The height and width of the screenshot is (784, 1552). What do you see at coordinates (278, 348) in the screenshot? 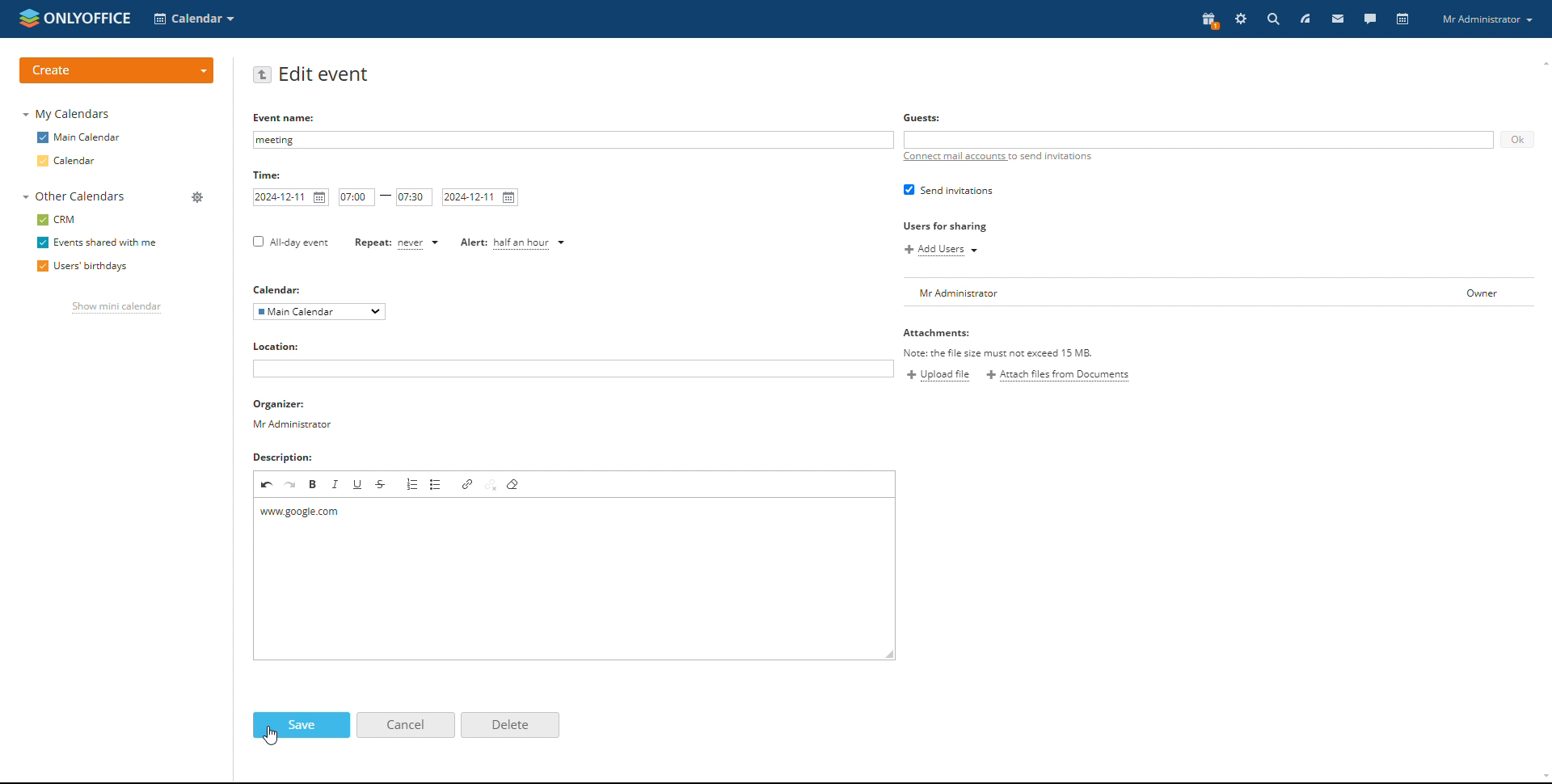
I see `Location:` at bounding box center [278, 348].